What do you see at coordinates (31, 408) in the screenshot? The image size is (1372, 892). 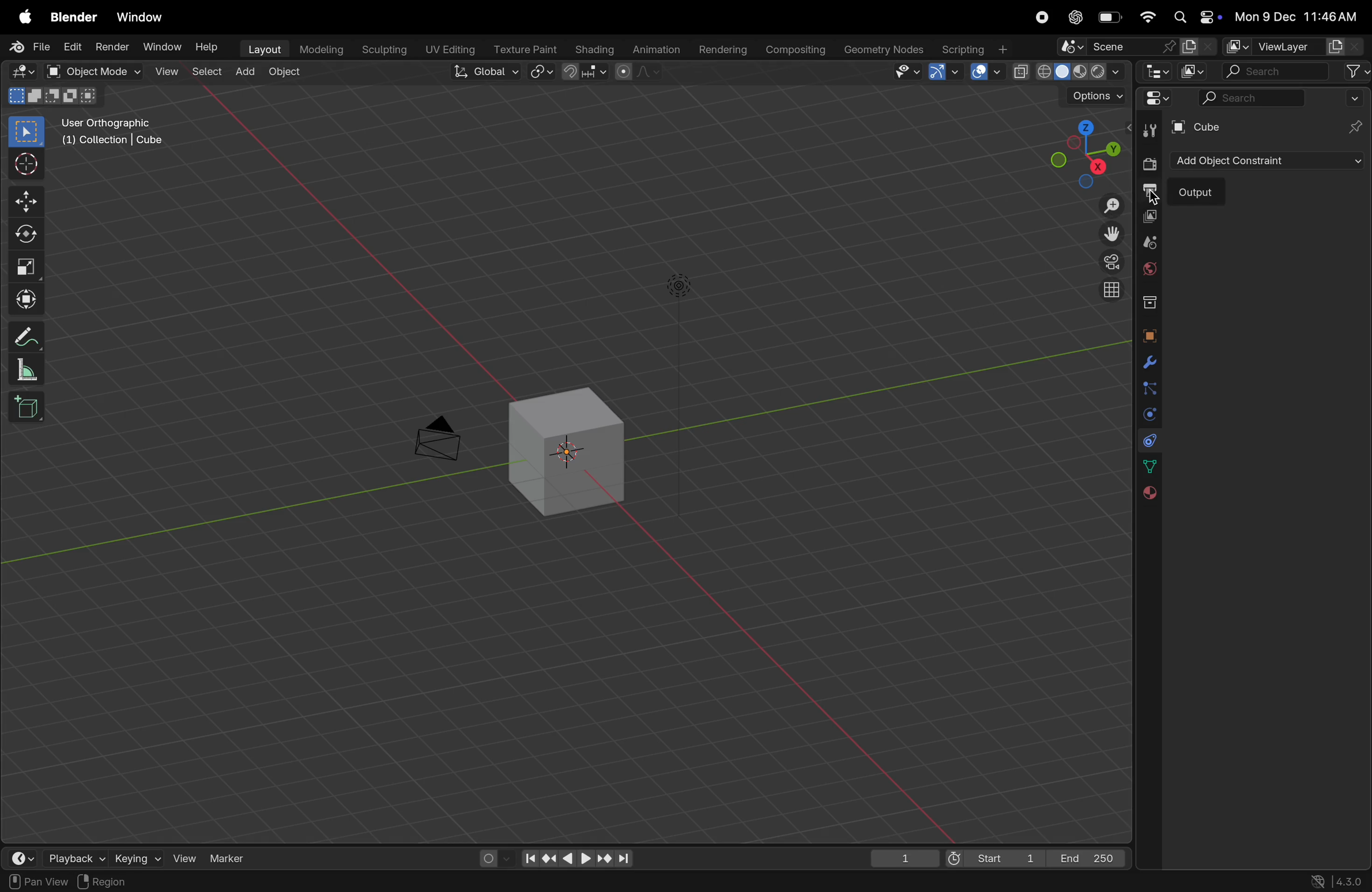 I see `add cube` at bounding box center [31, 408].